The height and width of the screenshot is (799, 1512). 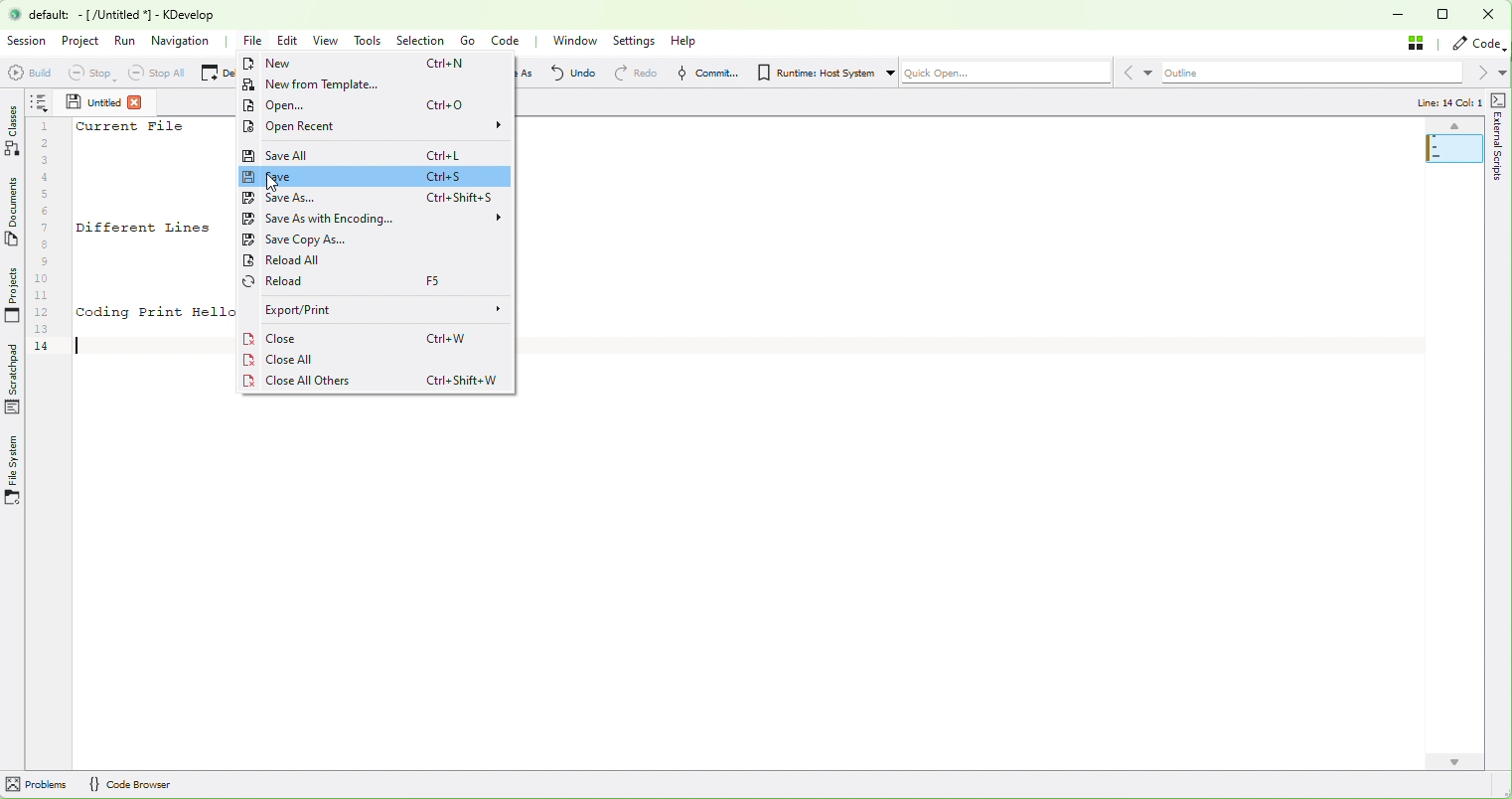 What do you see at coordinates (571, 73) in the screenshot?
I see `undo` at bounding box center [571, 73].